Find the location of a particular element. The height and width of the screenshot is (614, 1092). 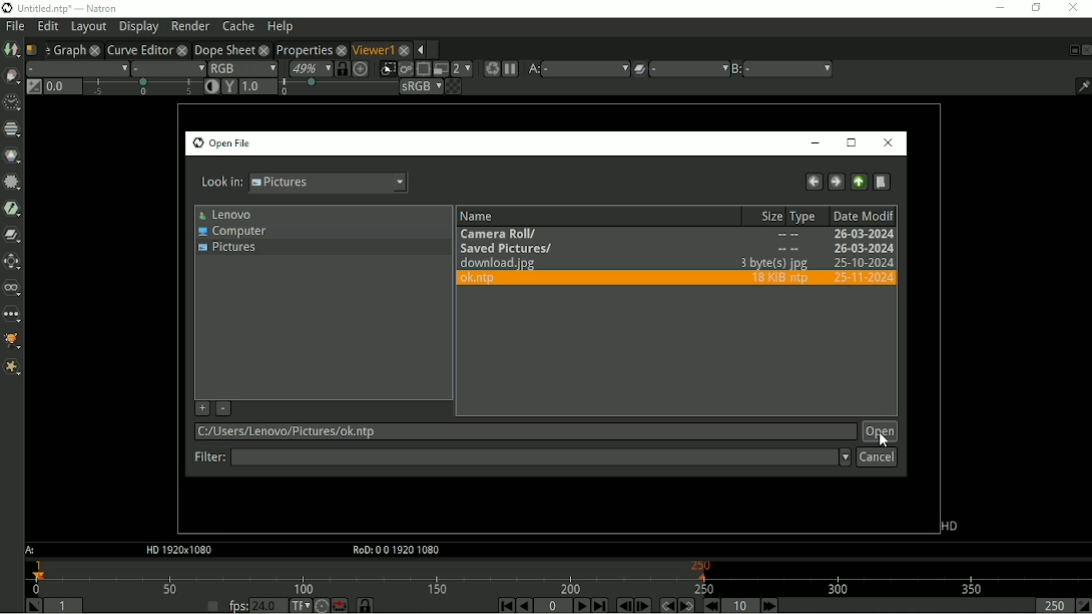

a menu is located at coordinates (585, 68).